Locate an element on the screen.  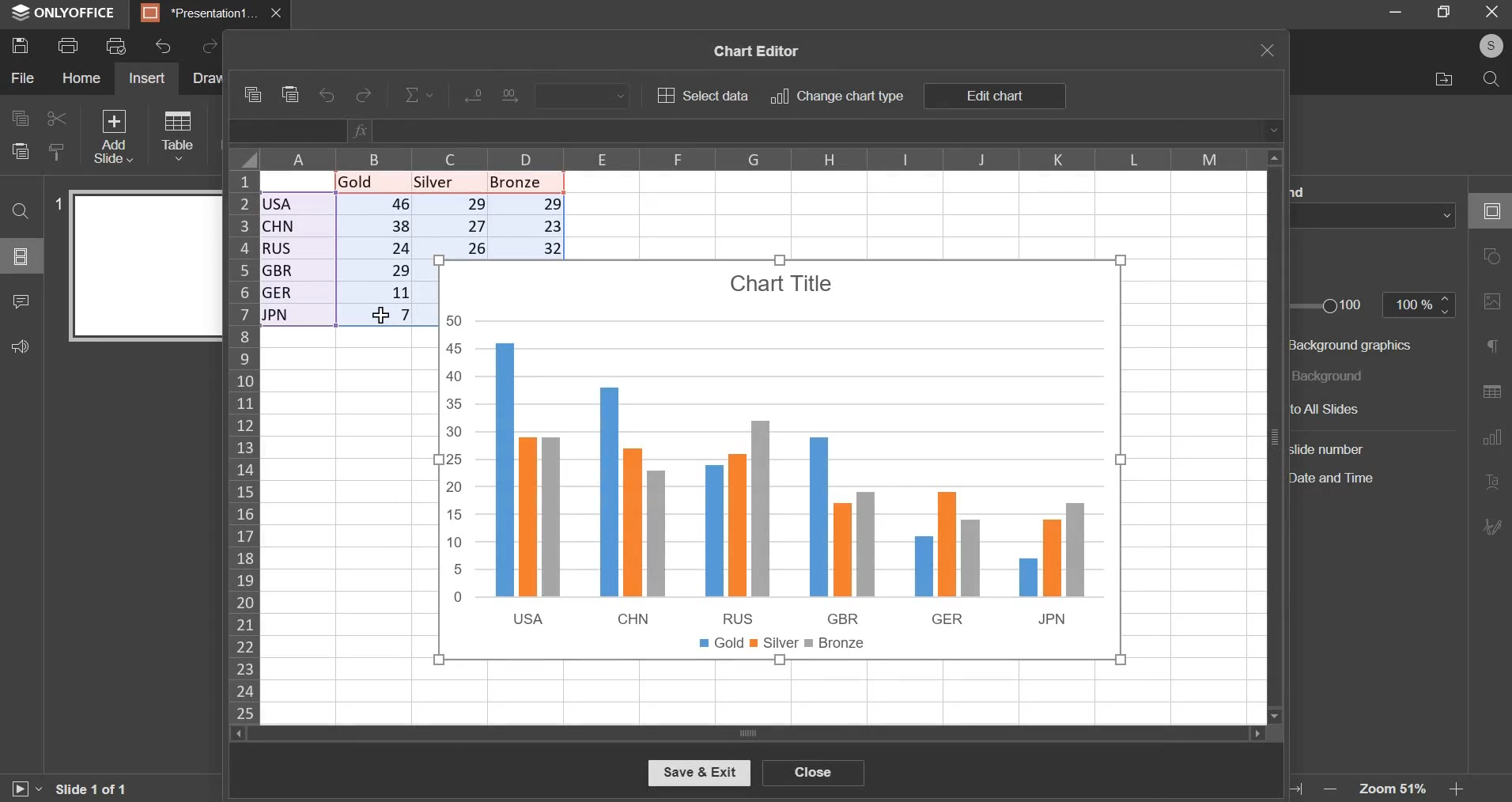
print preview is located at coordinates (116, 45).